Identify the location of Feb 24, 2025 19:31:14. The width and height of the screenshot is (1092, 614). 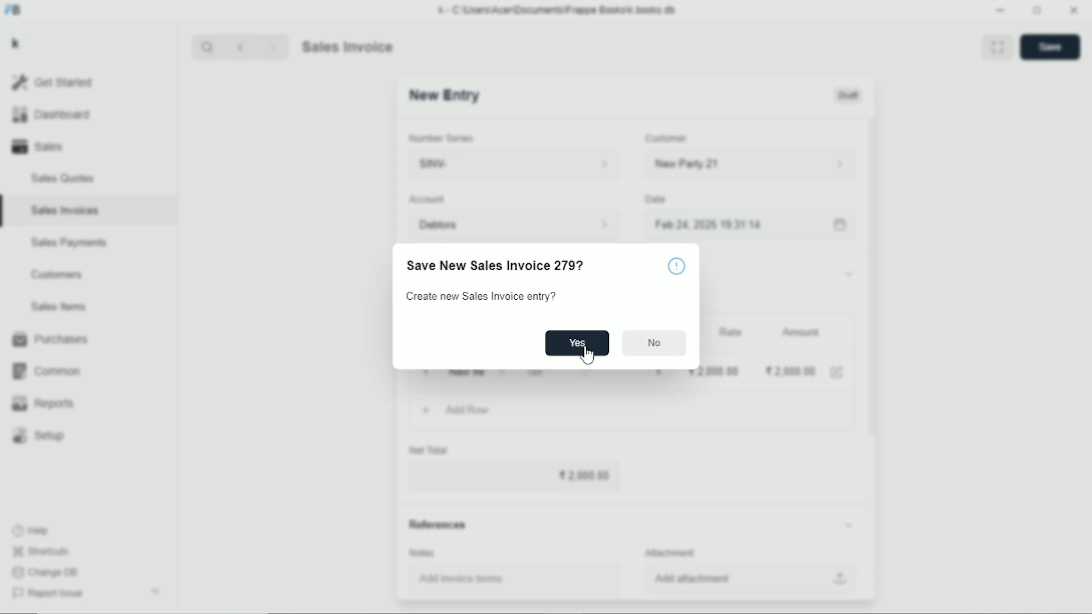
(752, 225).